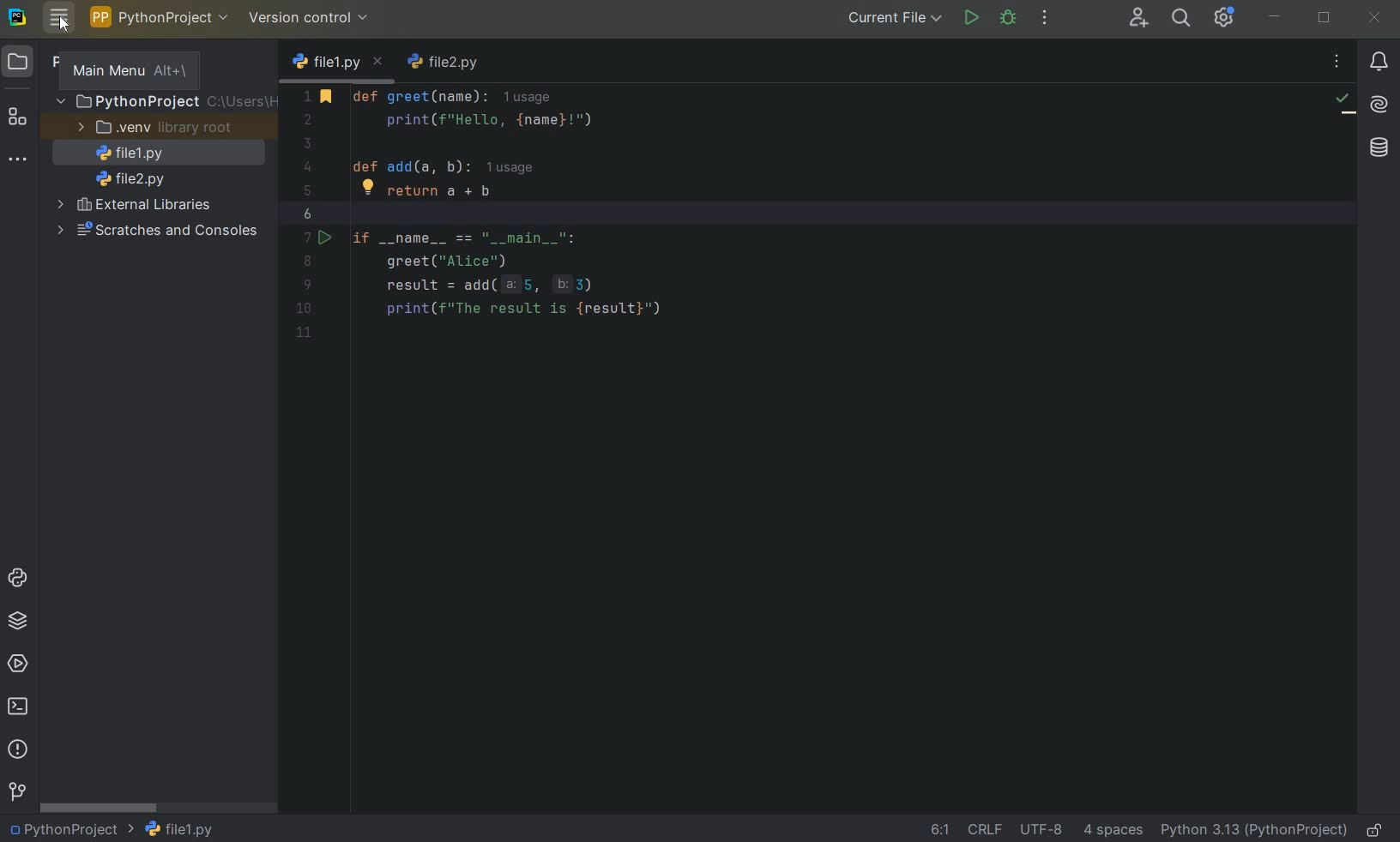  I want to click on project name, so click(70, 831).